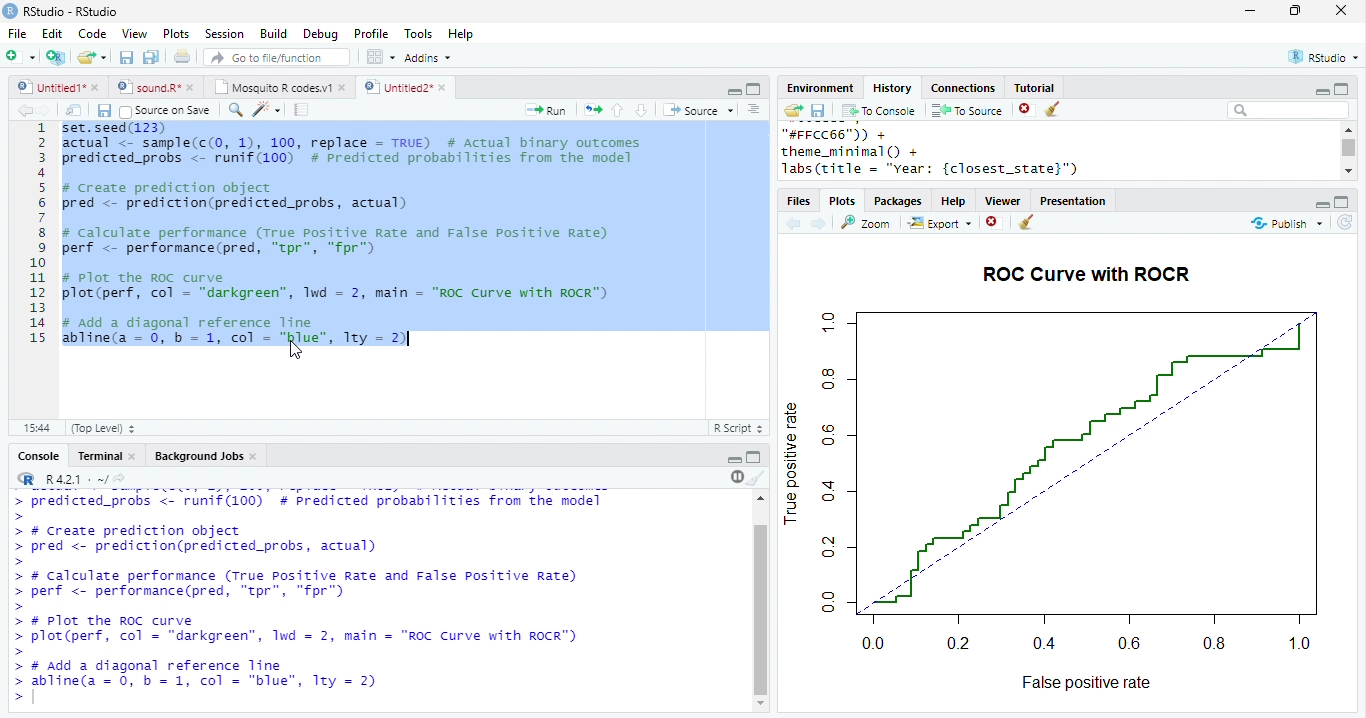 The height and width of the screenshot is (718, 1366). What do you see at coordinates (1033, 87) in the screenshot?
I see `Tutorial` at bounding box center [1033, 87].